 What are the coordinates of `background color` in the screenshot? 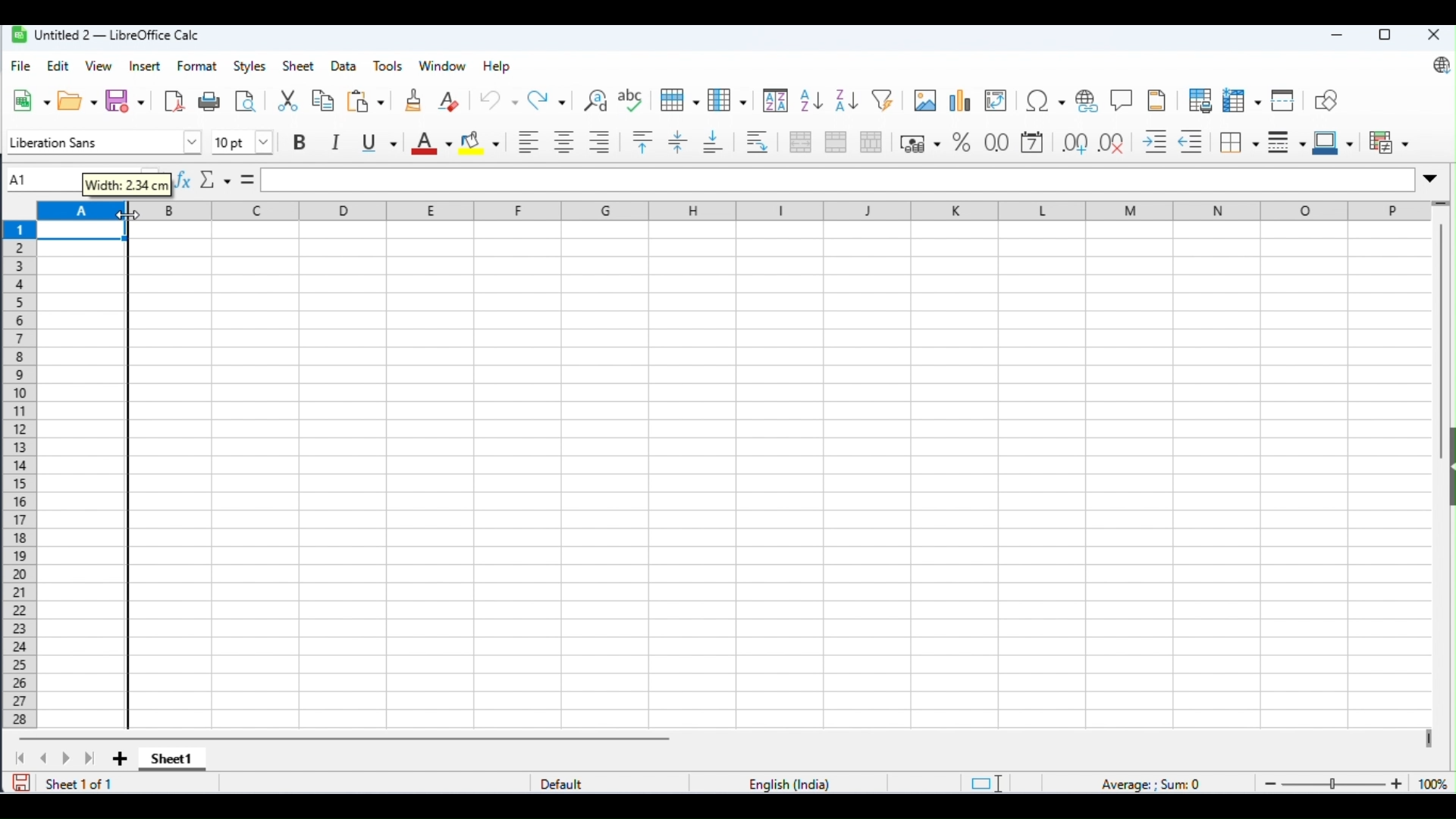 It's located at (481, 140).